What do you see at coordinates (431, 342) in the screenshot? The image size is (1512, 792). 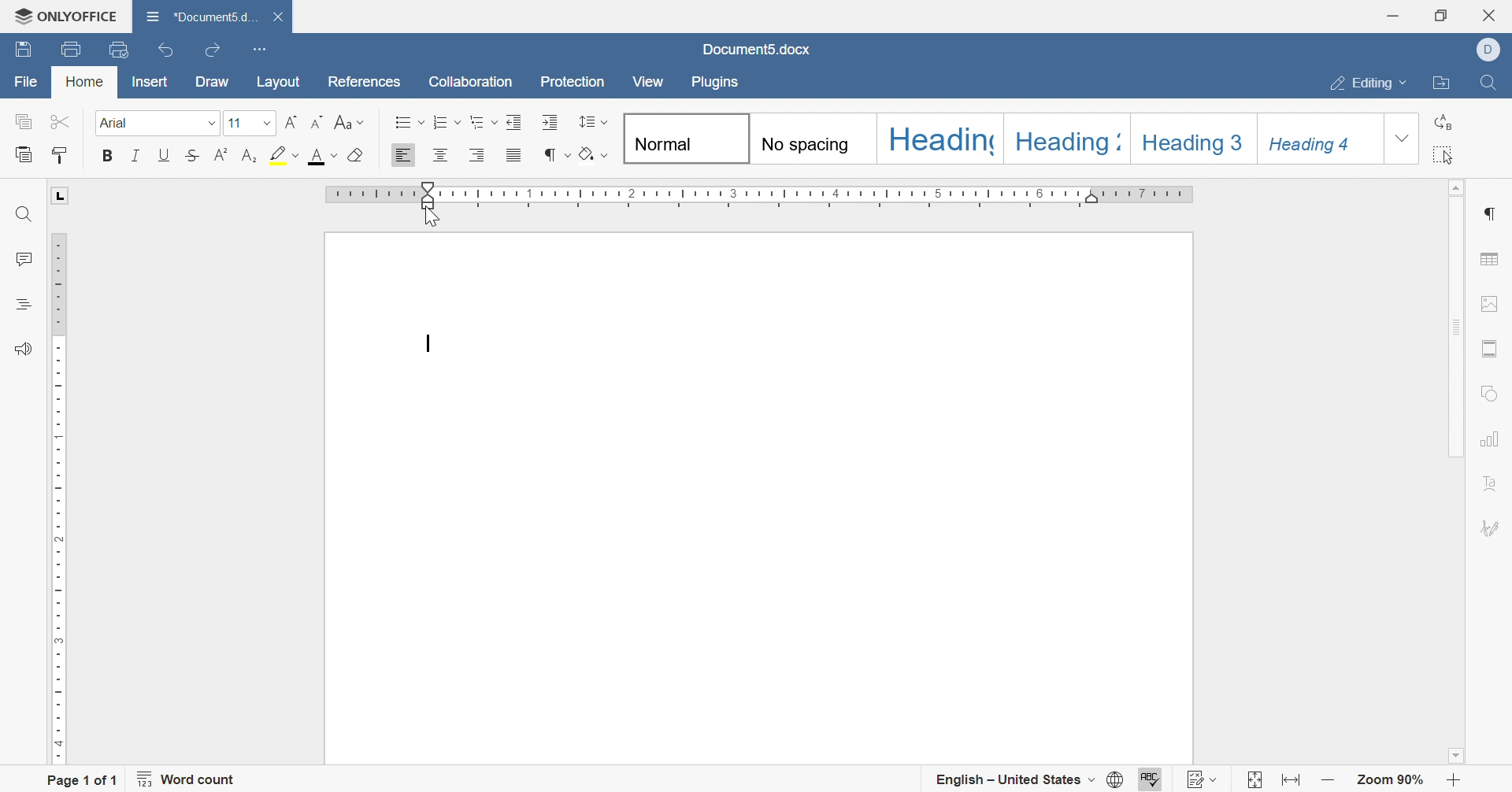 I see `Text Editor` at bounding box center [431, 342].